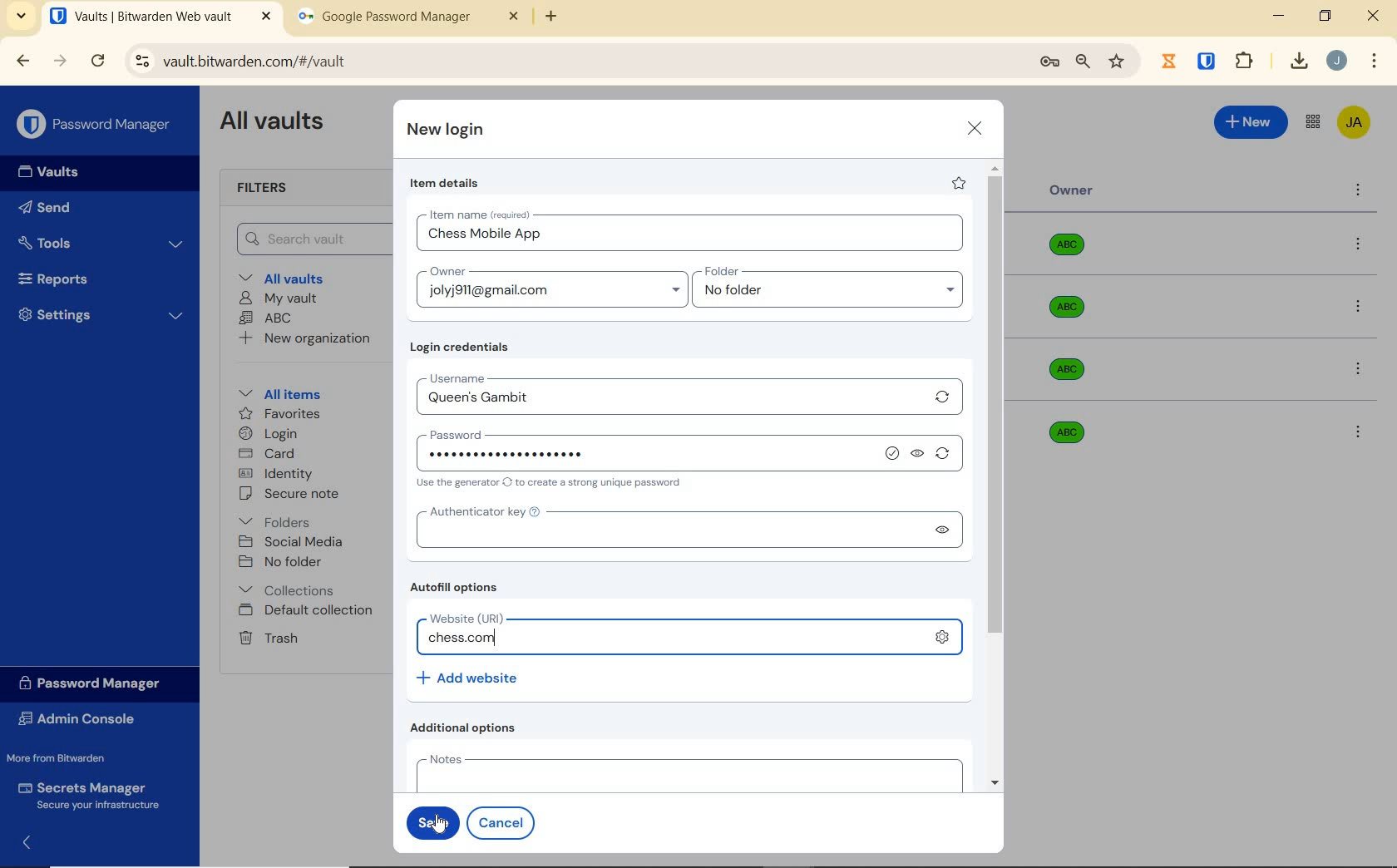 The height and width of the screenshot is (868, 1397). Describe the element at coordinates (504, 822) in the screenshot. I see `cancel` at that location.